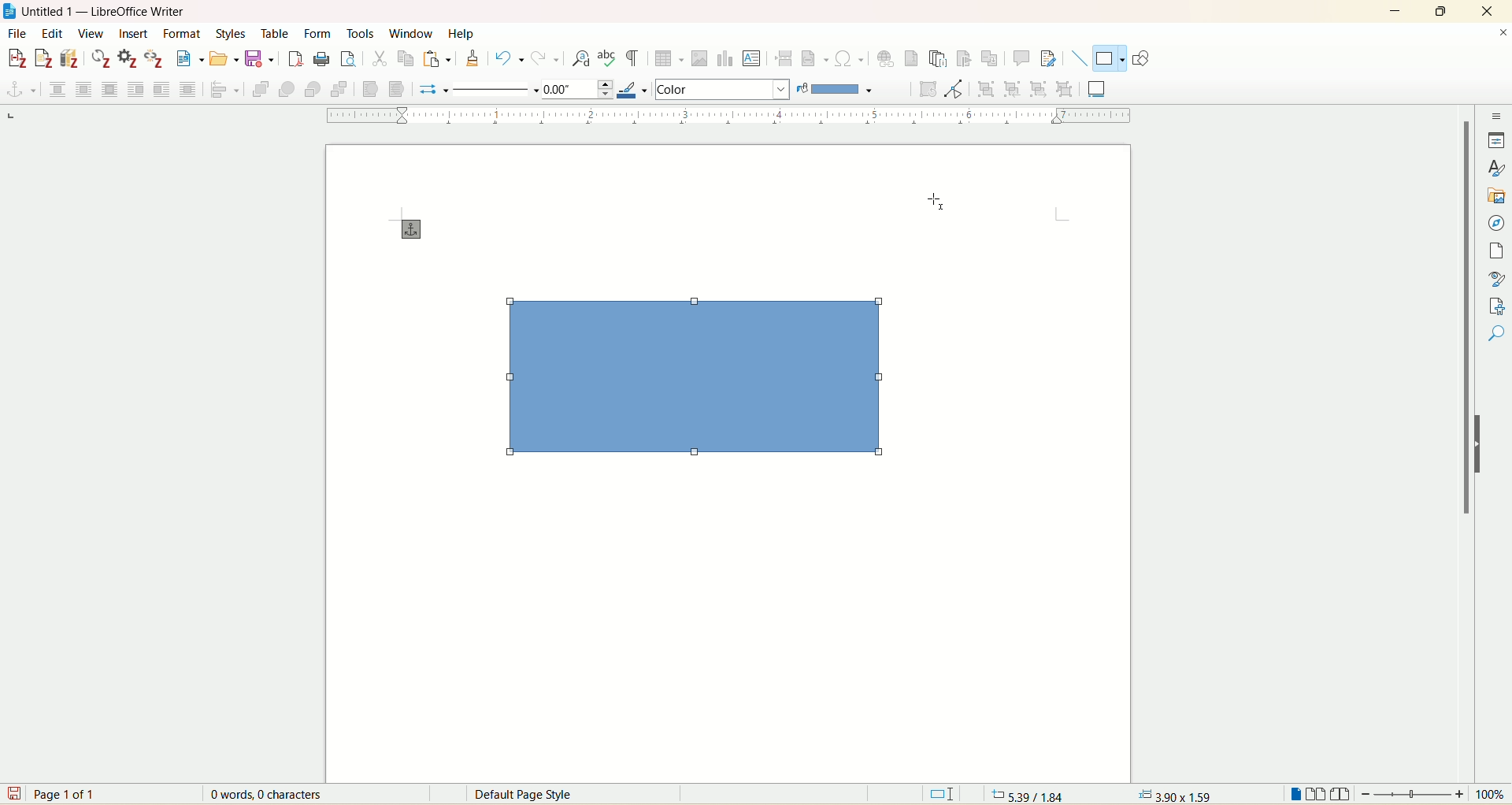  I want to click on optimal, so click(112, 90).